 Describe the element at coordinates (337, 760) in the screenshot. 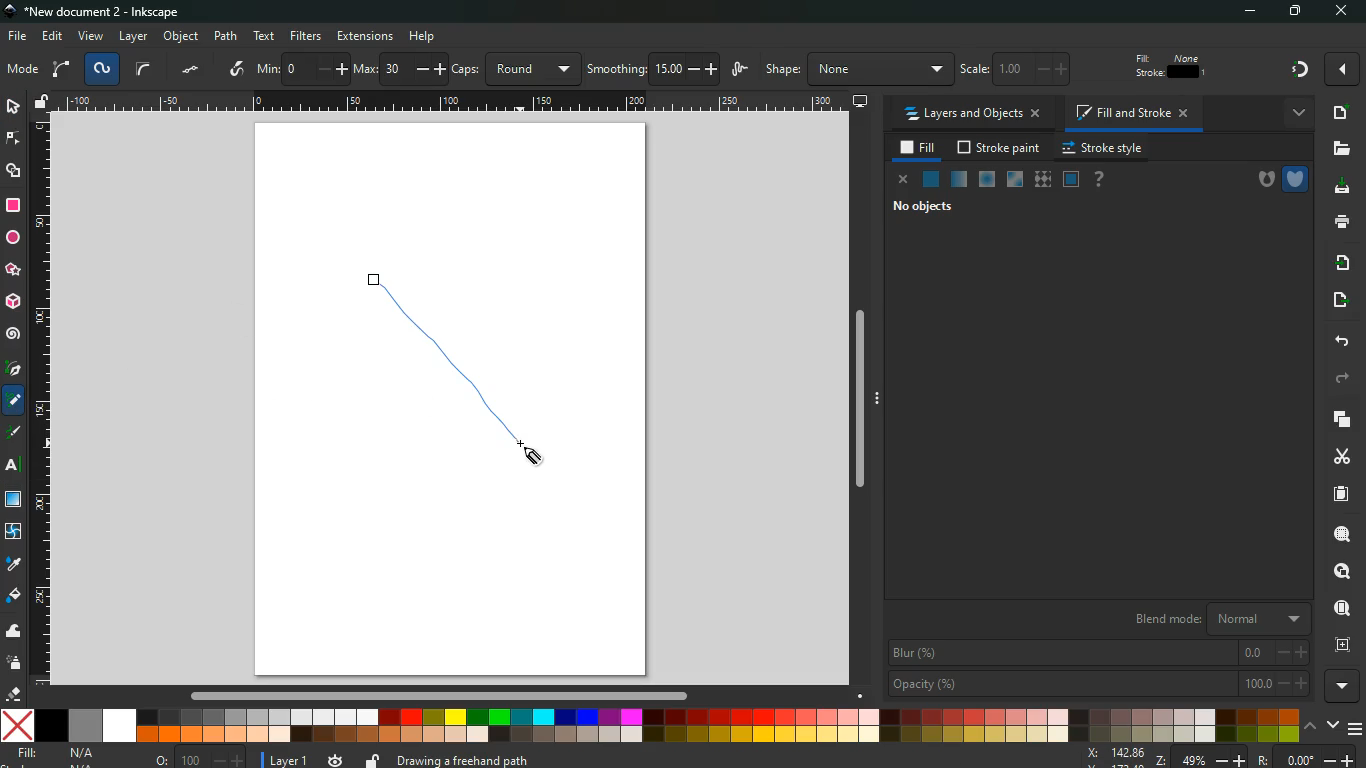

I see `time` at that location.